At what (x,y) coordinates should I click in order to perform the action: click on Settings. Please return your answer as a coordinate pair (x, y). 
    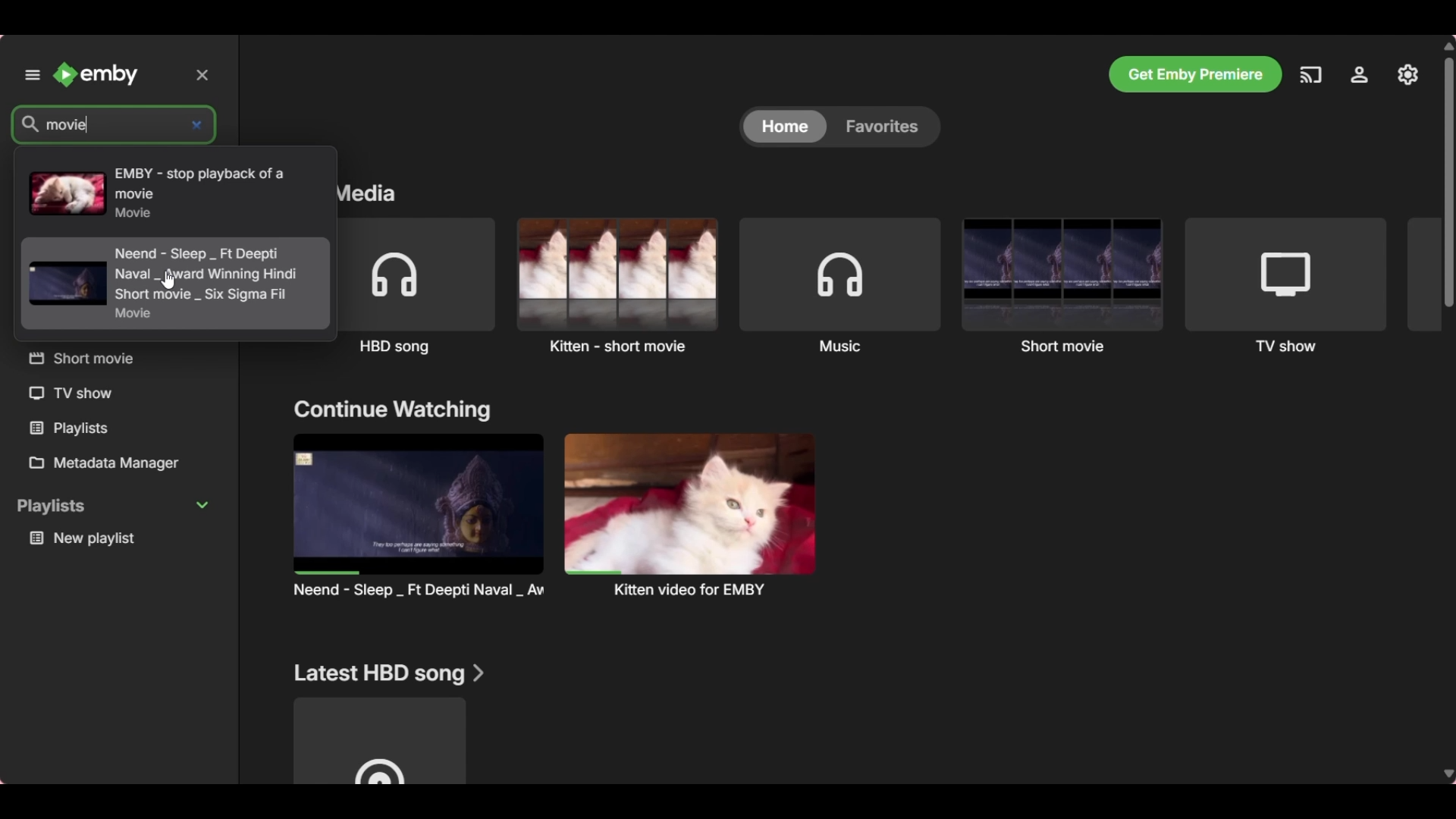
    Looking at the image, I should click on (1359, 75).